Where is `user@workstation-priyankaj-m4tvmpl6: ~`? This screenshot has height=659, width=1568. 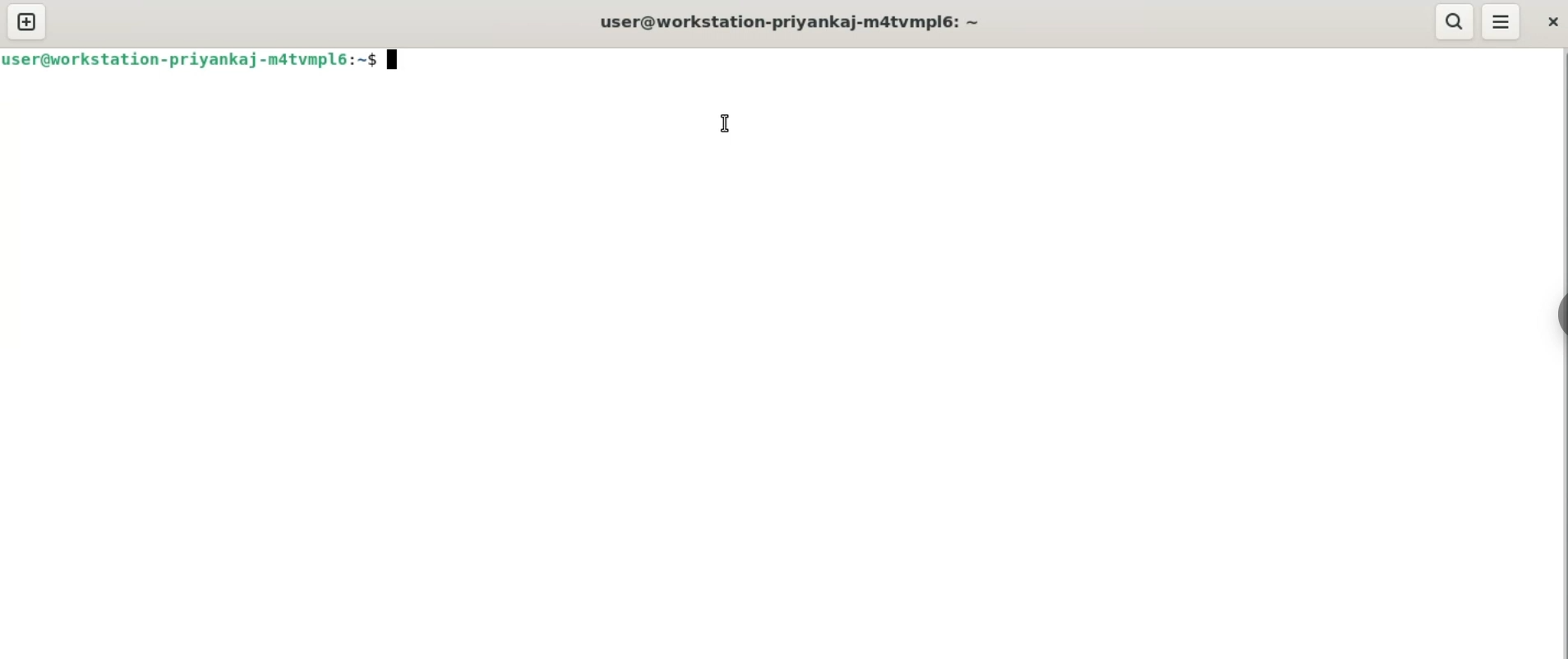
user@workstation-priyankaj-m4tvmpl6: ~ is located at coordinates (791, 23).